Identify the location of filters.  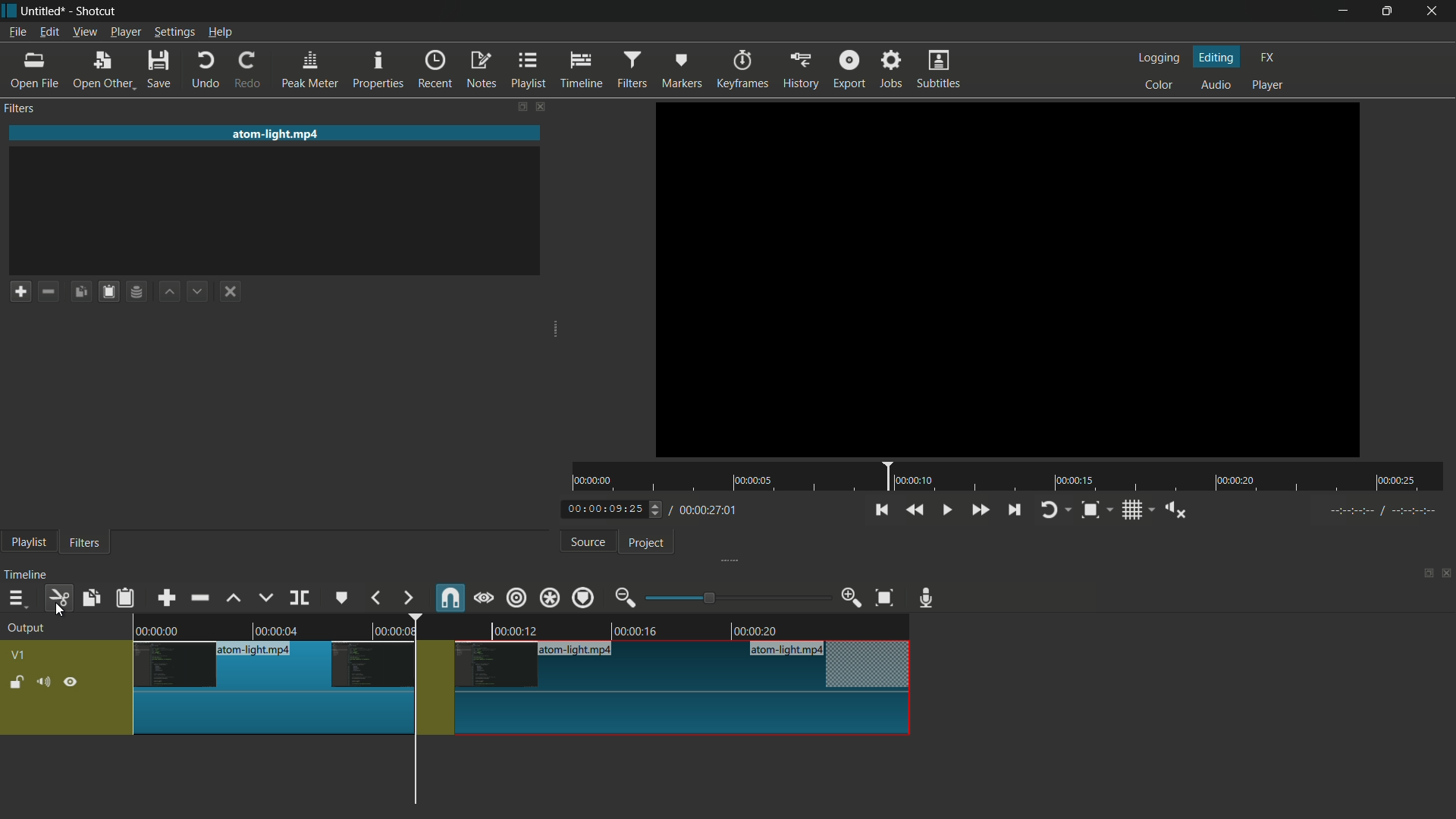
(85, 544).